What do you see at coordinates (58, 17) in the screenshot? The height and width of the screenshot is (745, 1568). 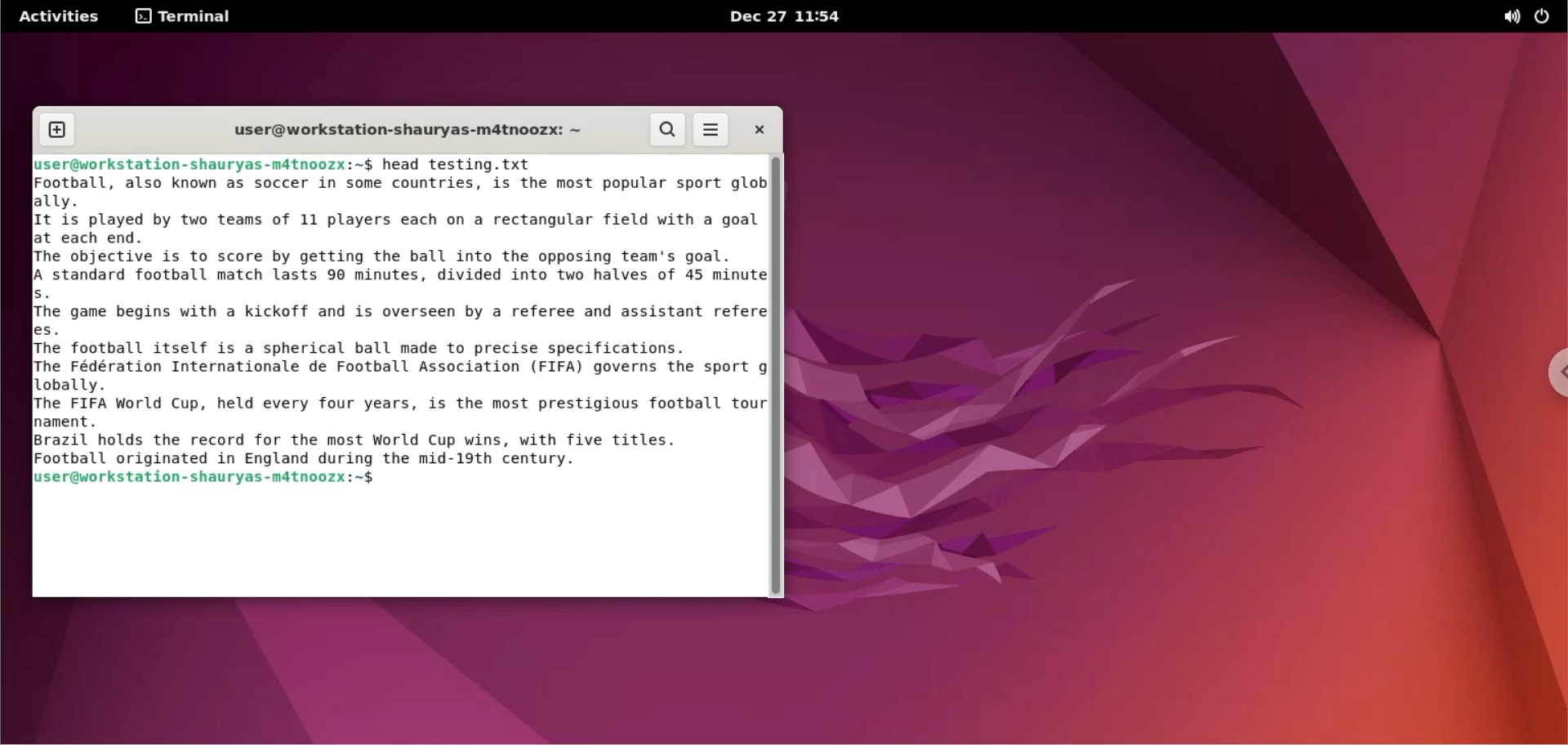 I see `Activities` at bounding box center [58, 17].